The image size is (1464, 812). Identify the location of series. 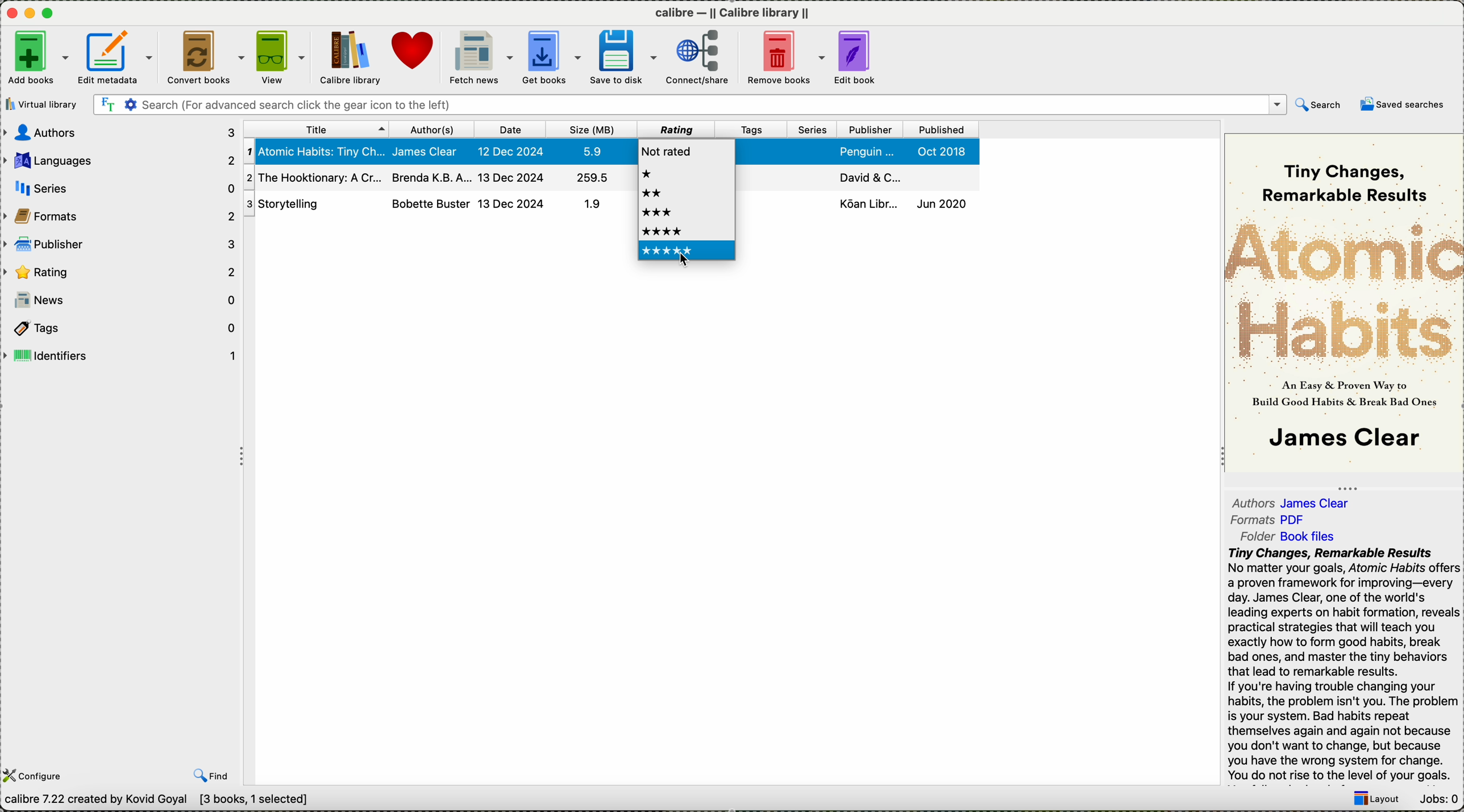
(813, 130).